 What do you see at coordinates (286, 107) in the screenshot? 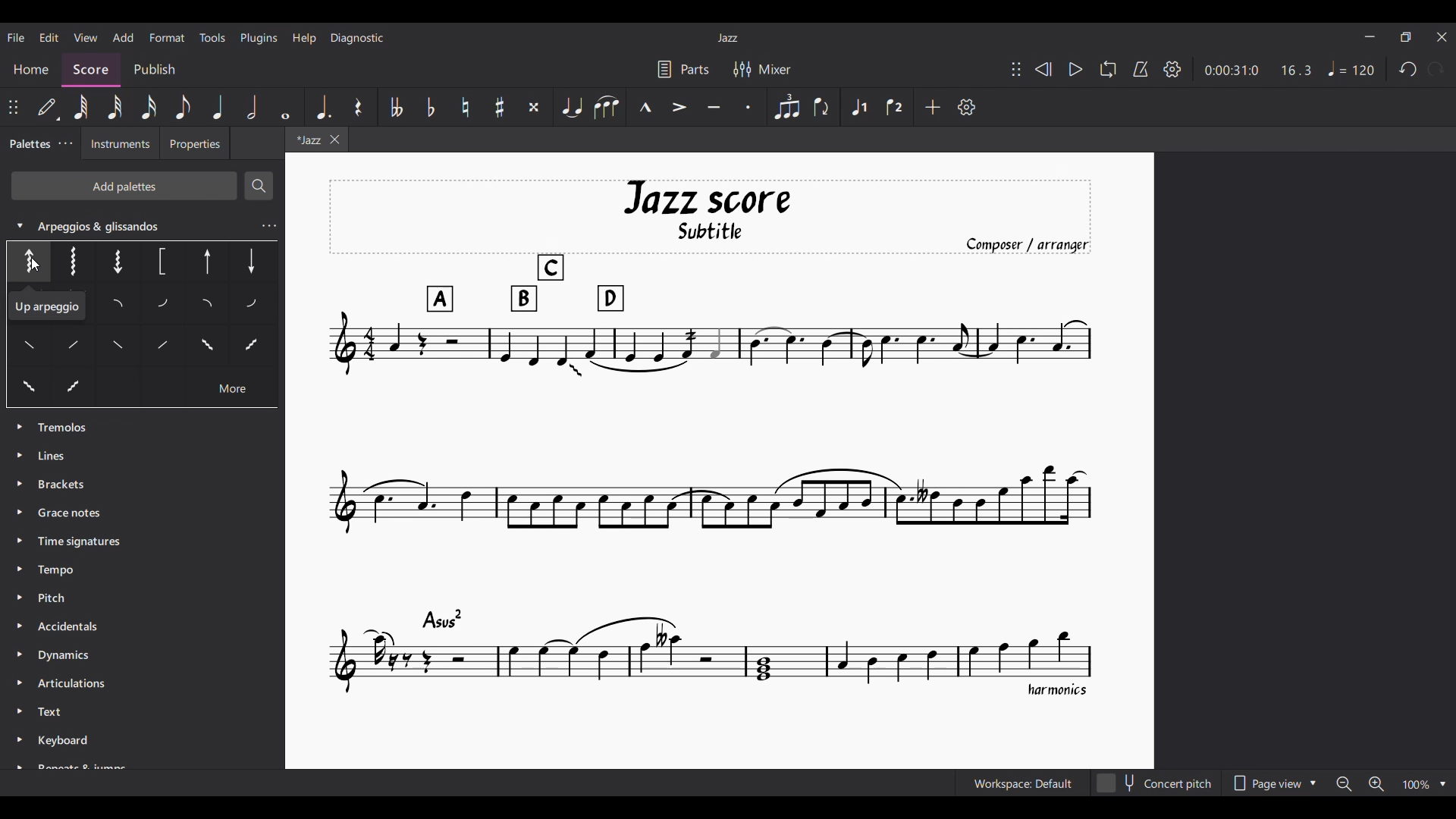
I see `Whole note` at bounding box center [286, 107].